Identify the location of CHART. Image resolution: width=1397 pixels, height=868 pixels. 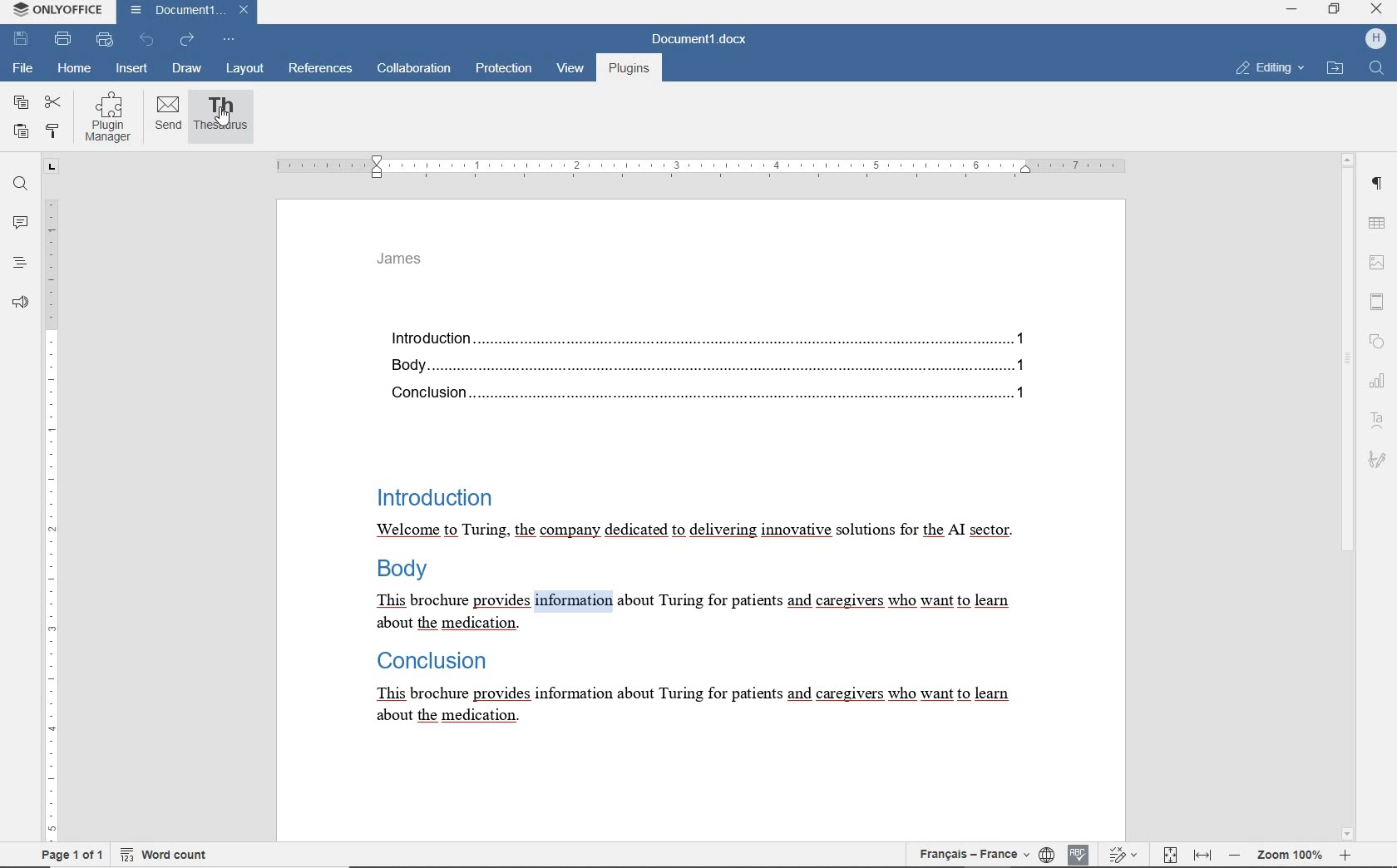
(1380, 382).